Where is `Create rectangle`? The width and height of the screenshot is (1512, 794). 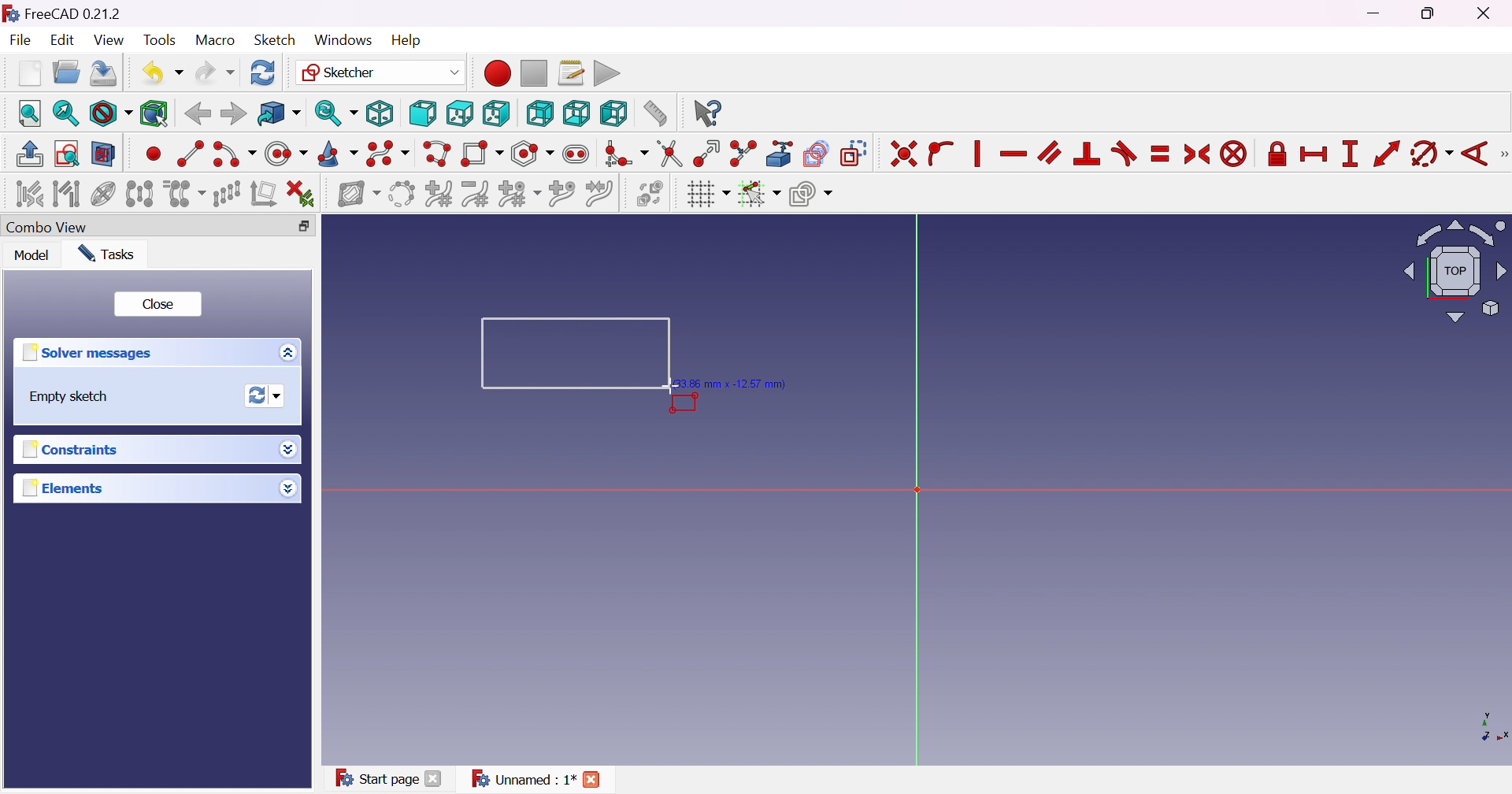
Create rectangle is located at coordinates (483, 155).